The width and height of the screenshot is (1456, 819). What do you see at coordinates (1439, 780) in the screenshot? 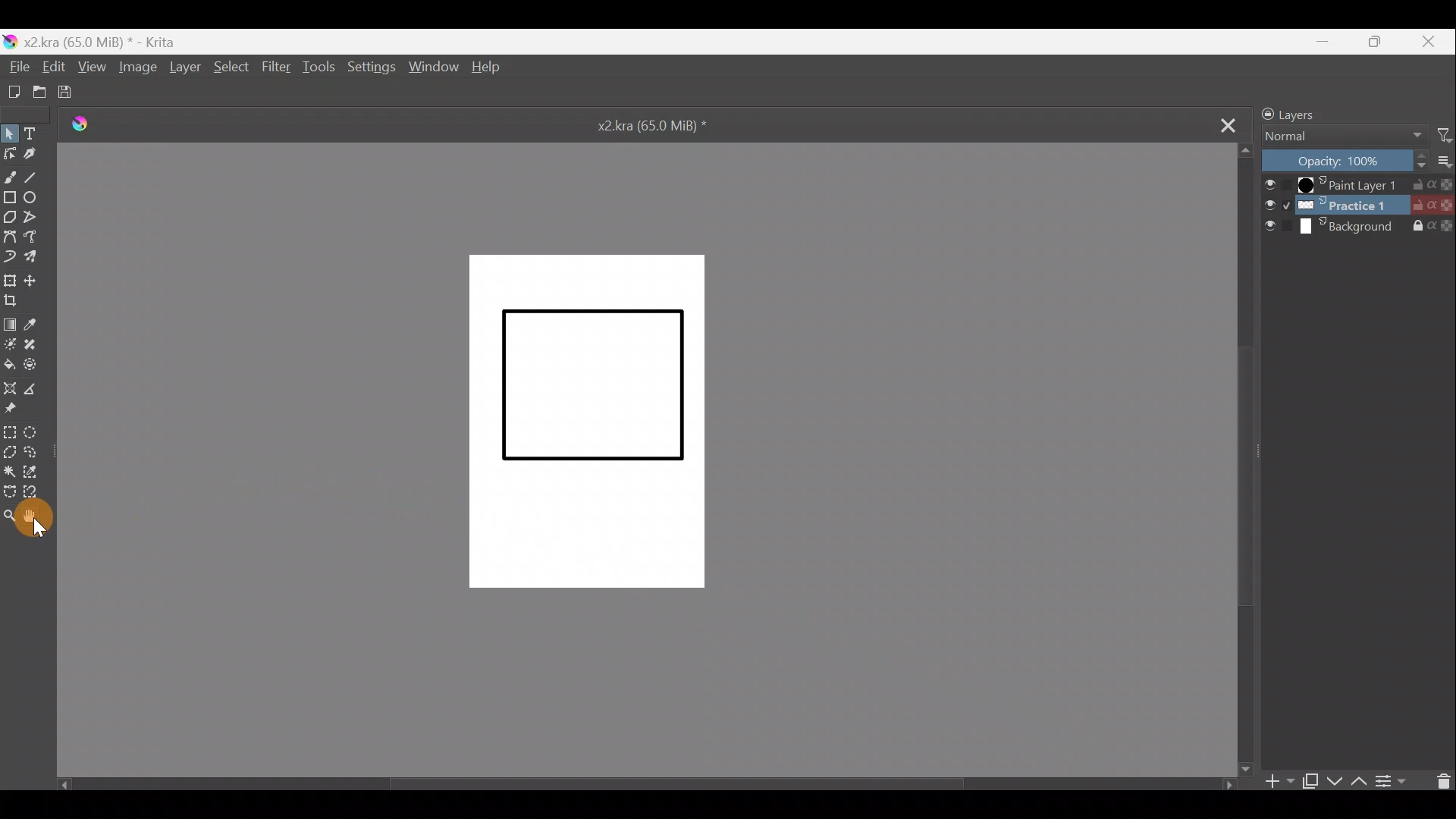
I see `Delete a layer` at bounding box center [1439, 780].